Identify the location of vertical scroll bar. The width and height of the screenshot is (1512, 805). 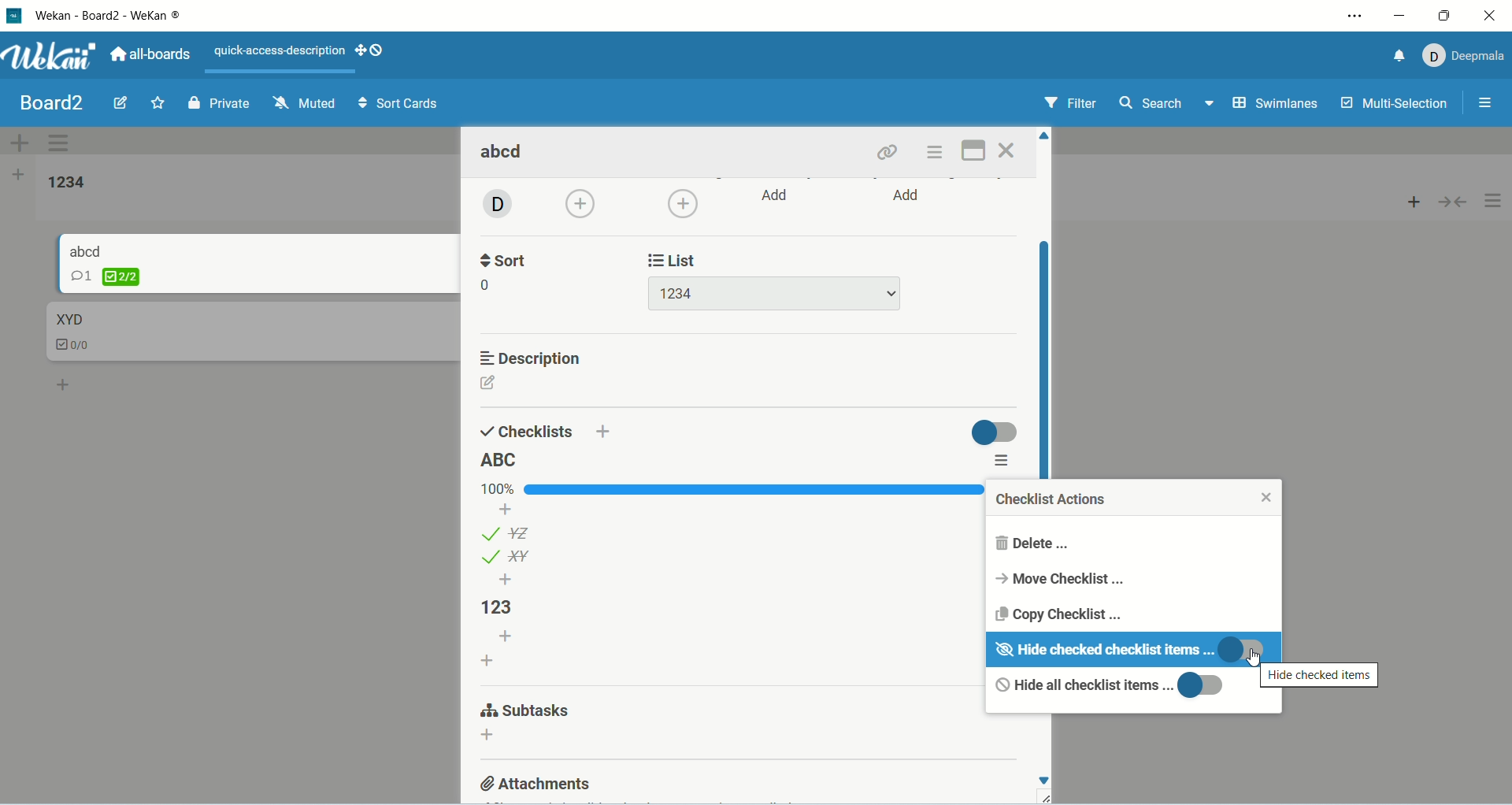
(1043, 356).